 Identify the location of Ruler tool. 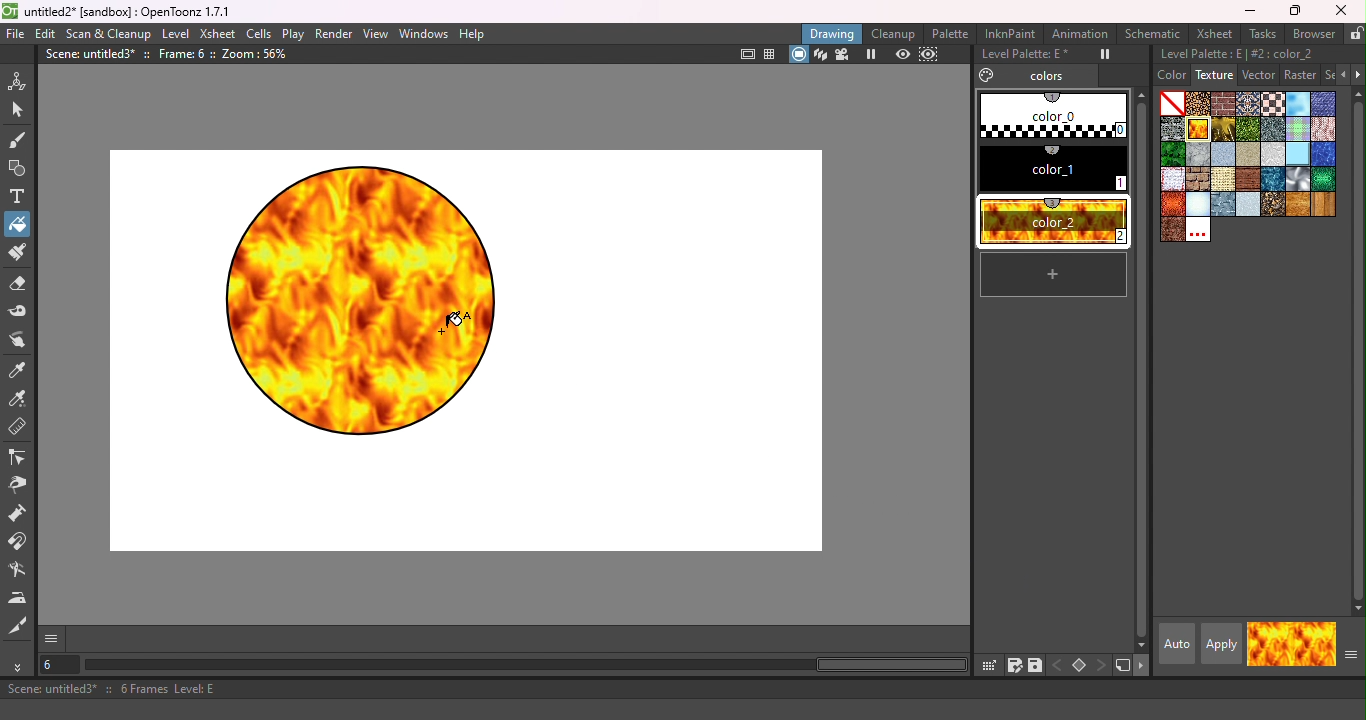
(19, 428).